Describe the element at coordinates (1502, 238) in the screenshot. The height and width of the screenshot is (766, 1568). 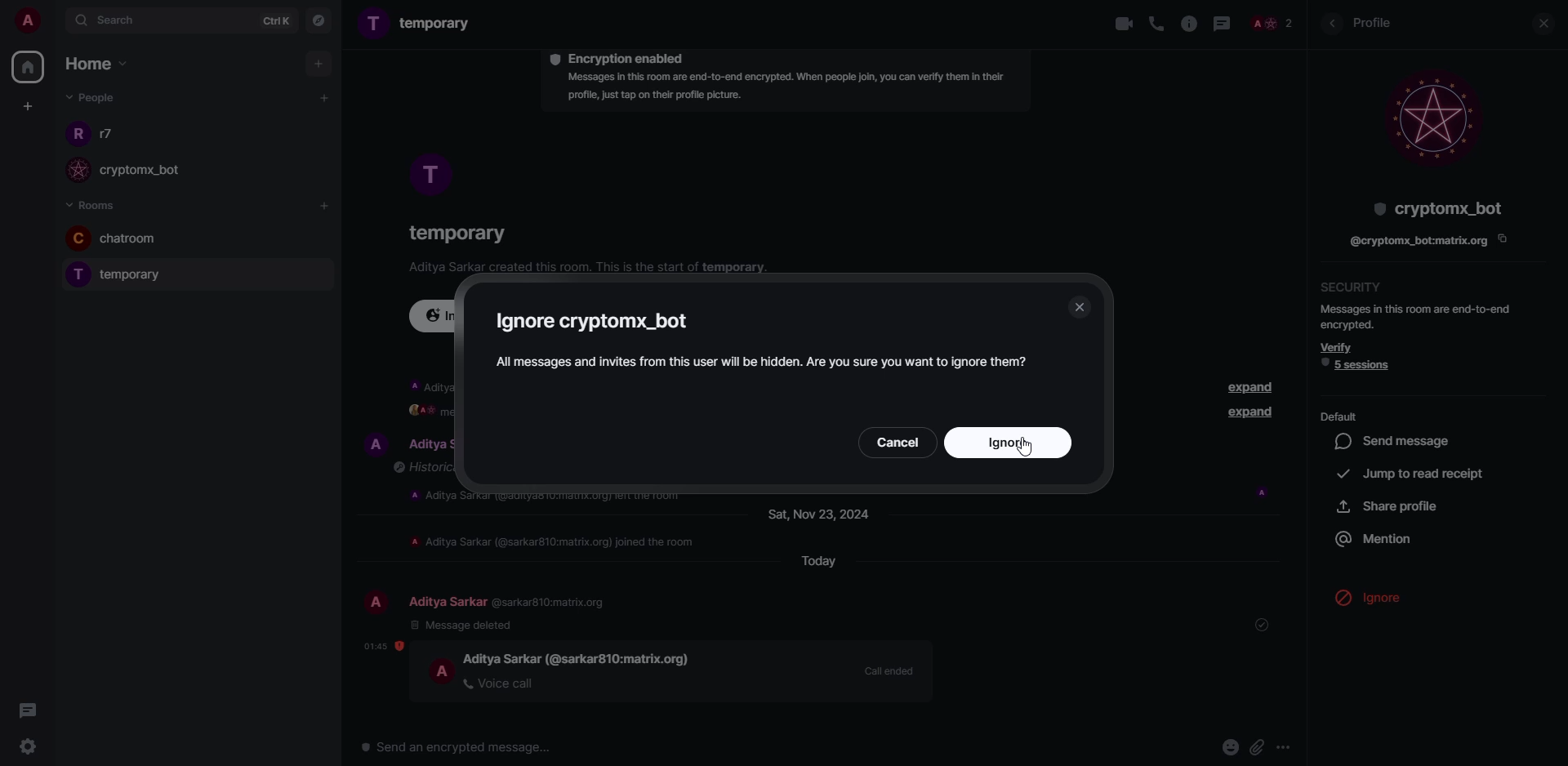
I see `copy` at that location.